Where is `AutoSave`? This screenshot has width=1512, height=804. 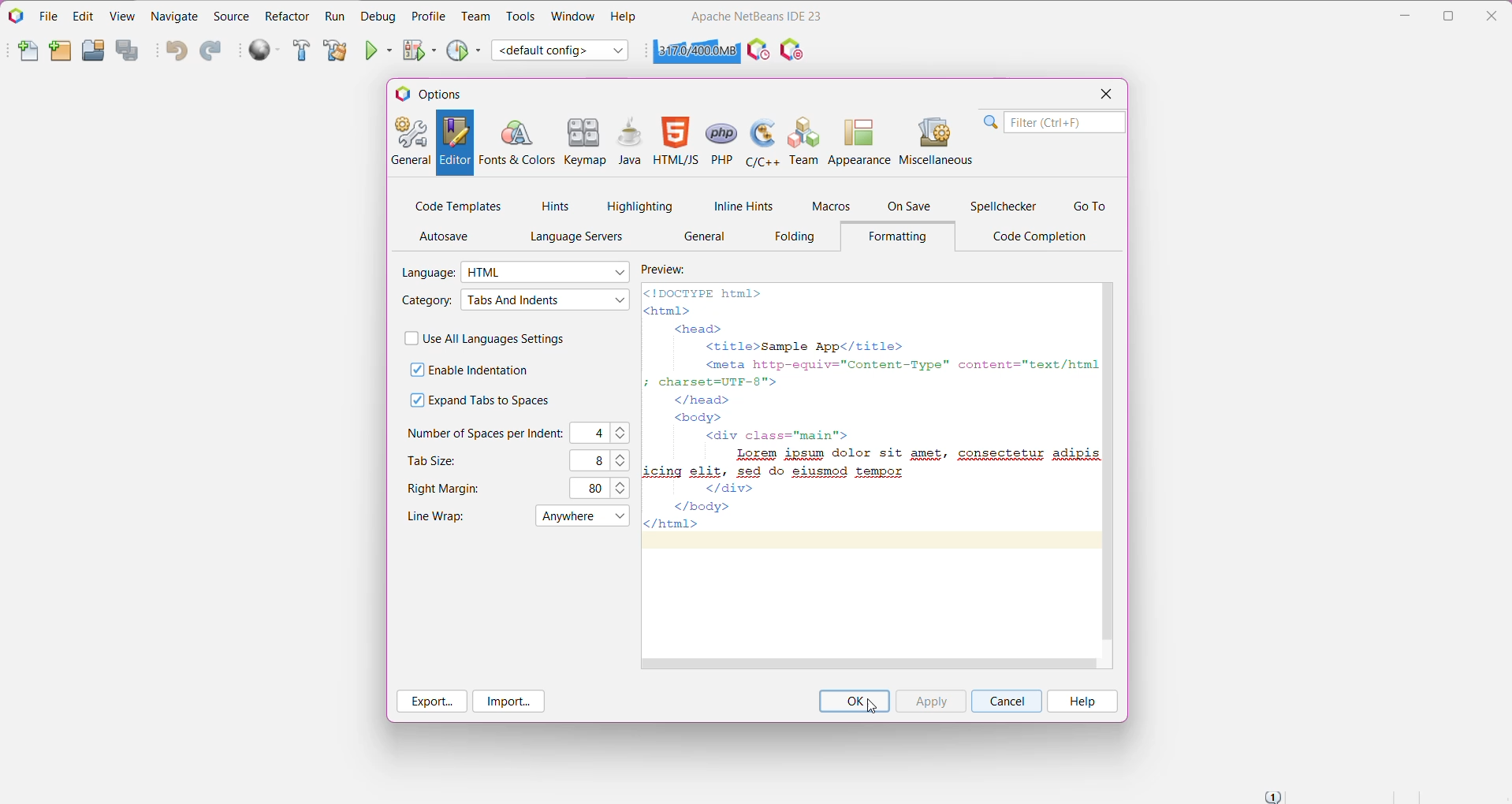
AutoSave is located at coordinates (448, 236).